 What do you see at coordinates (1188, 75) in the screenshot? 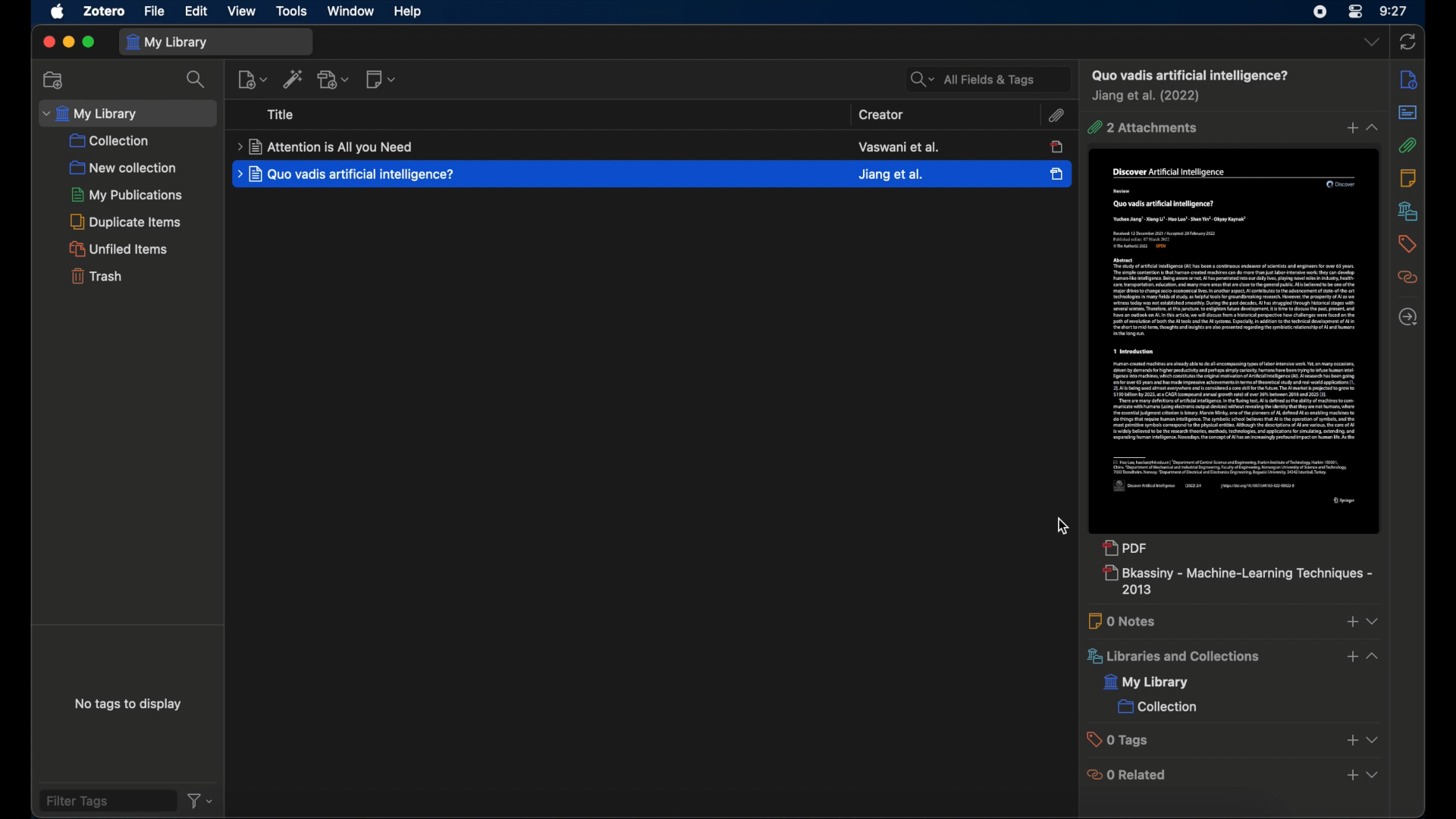
I see `item ` at bounding box center [1188, 75].